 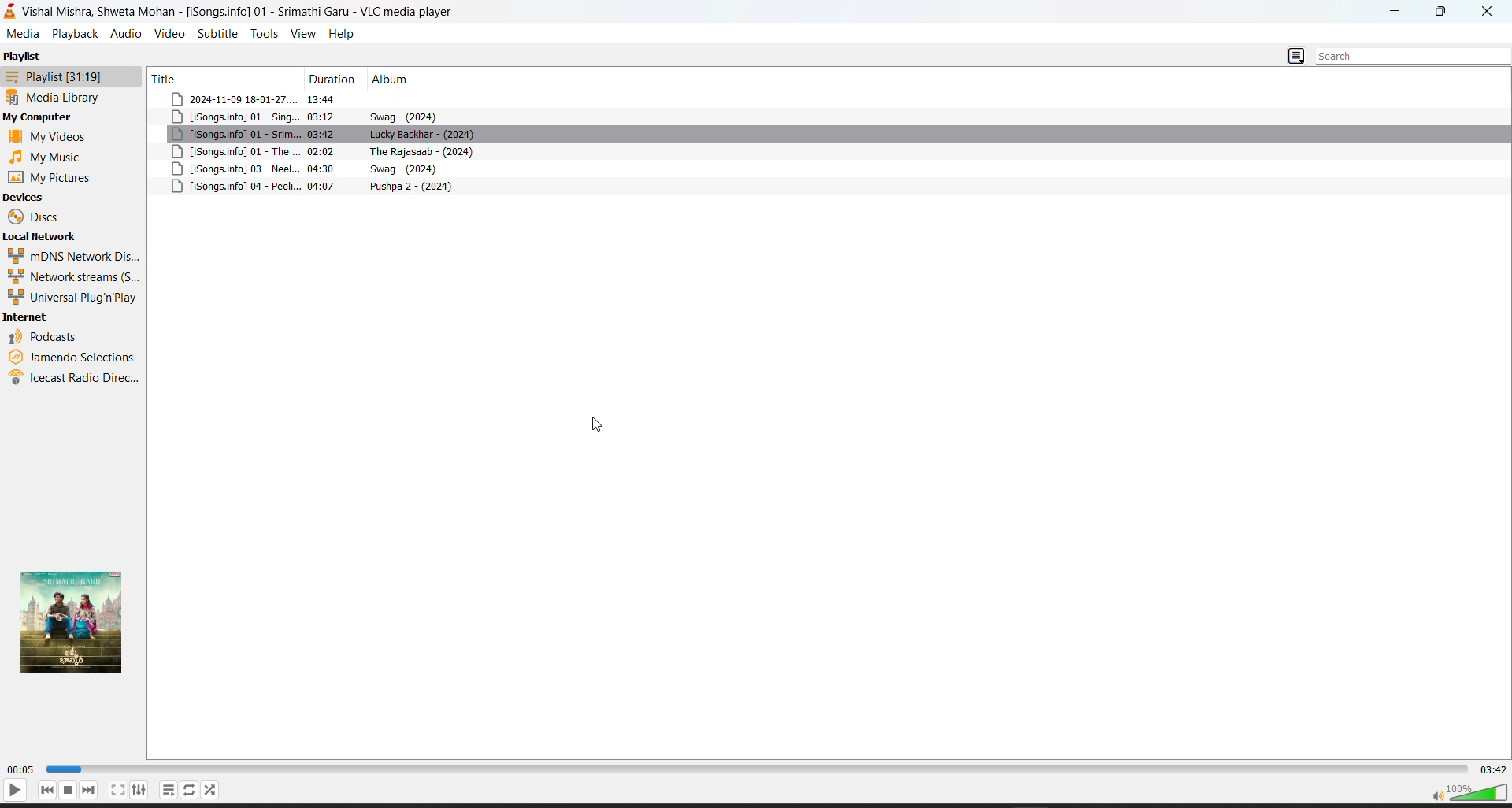 What do you see at coordinates (598, 423) in the screenshot?
I see `cursor` at bounding box center [598, 423].